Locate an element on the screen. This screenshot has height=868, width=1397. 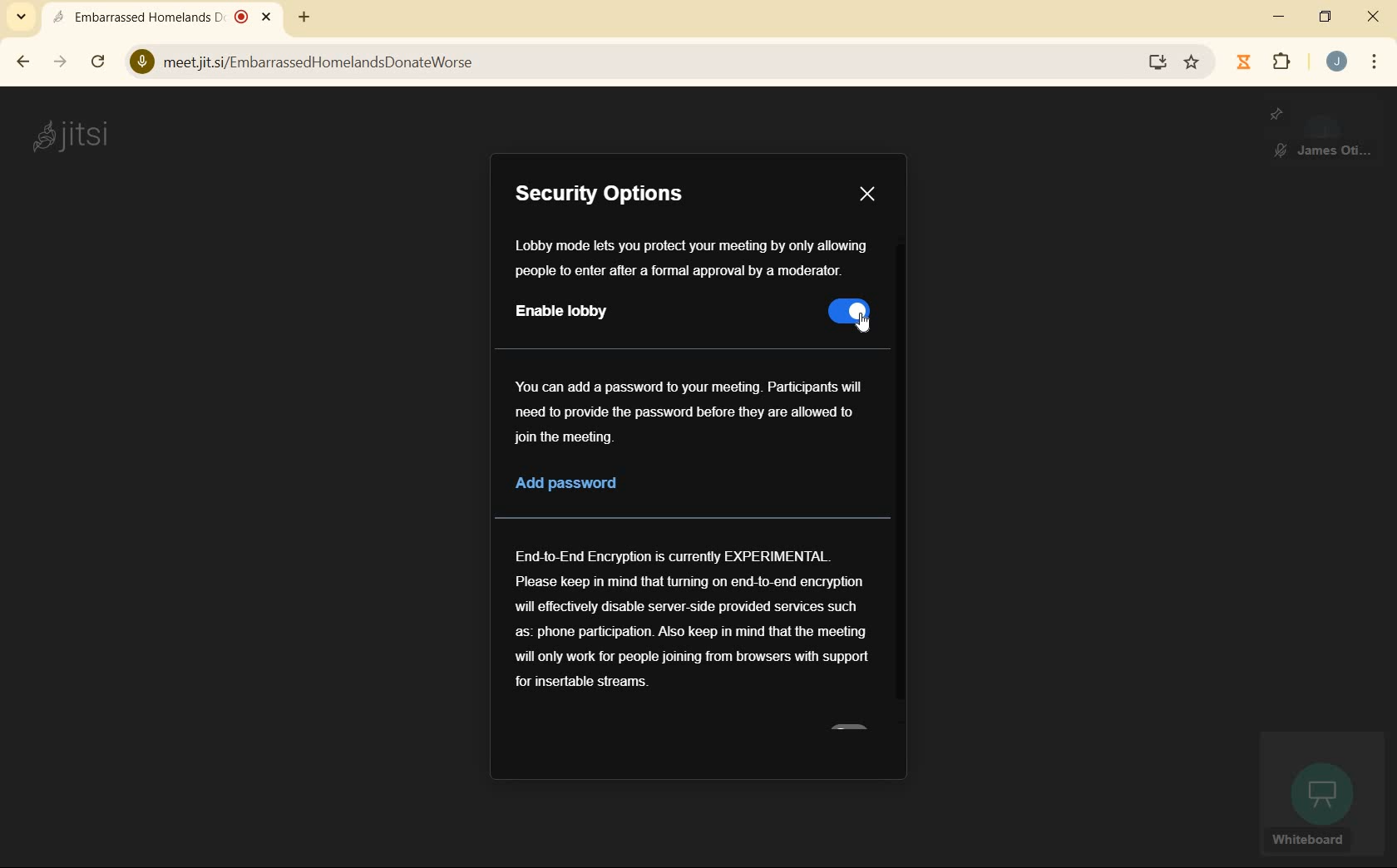
Jibble is located at coordinates (1243, 62).